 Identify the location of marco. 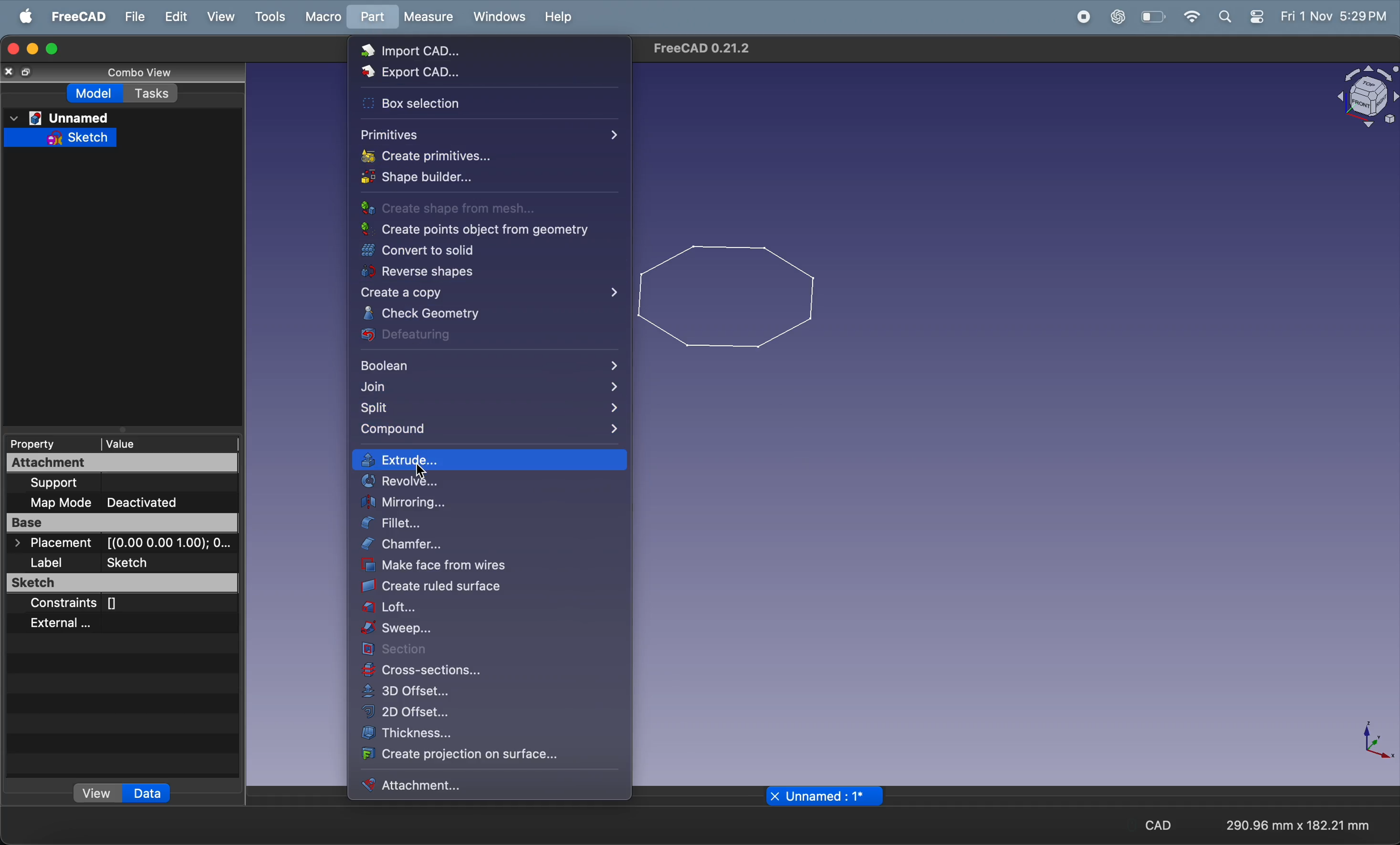
(322, 18).